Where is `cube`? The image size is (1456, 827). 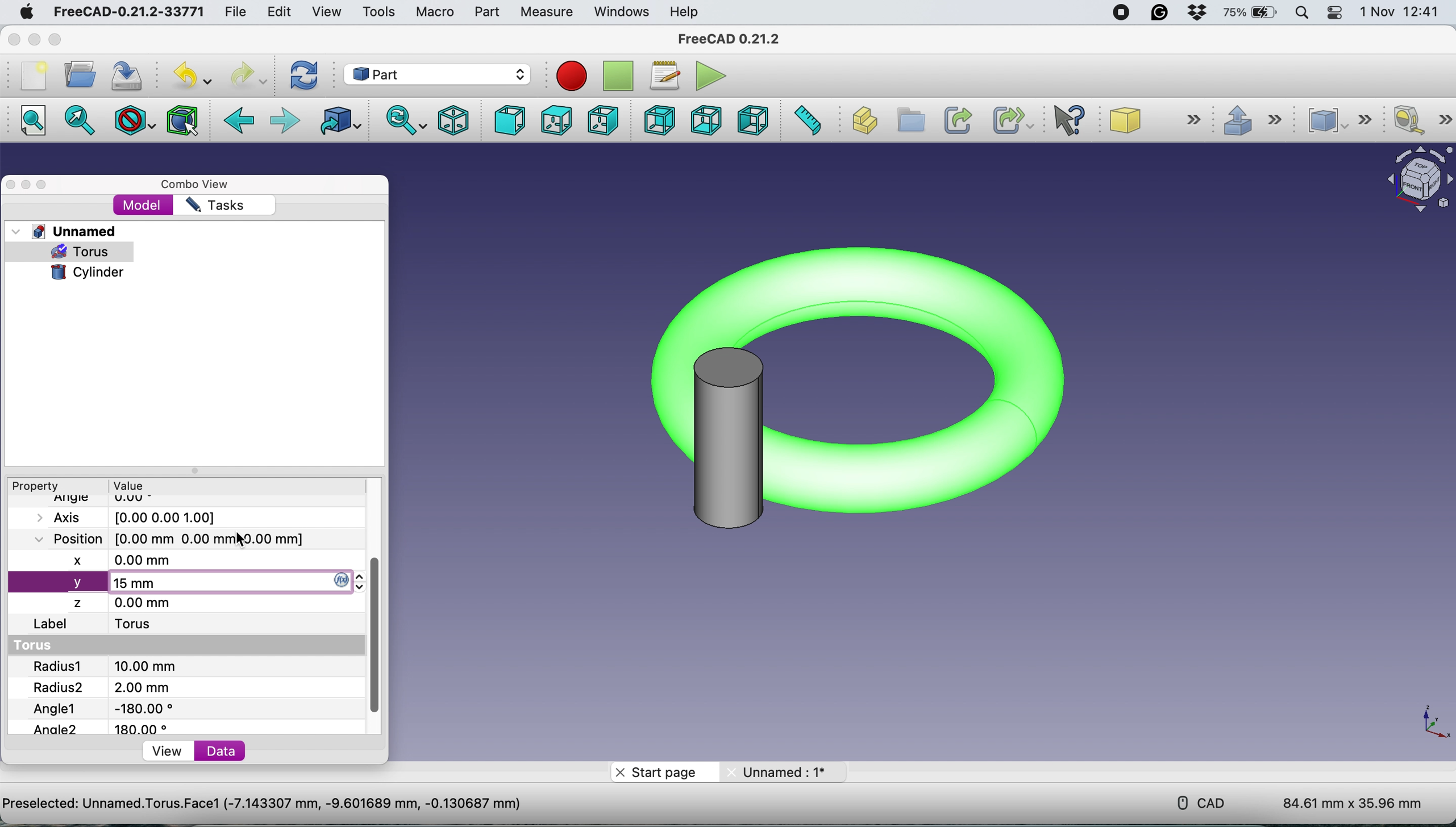
cube is located at coordinates (1160, 120).